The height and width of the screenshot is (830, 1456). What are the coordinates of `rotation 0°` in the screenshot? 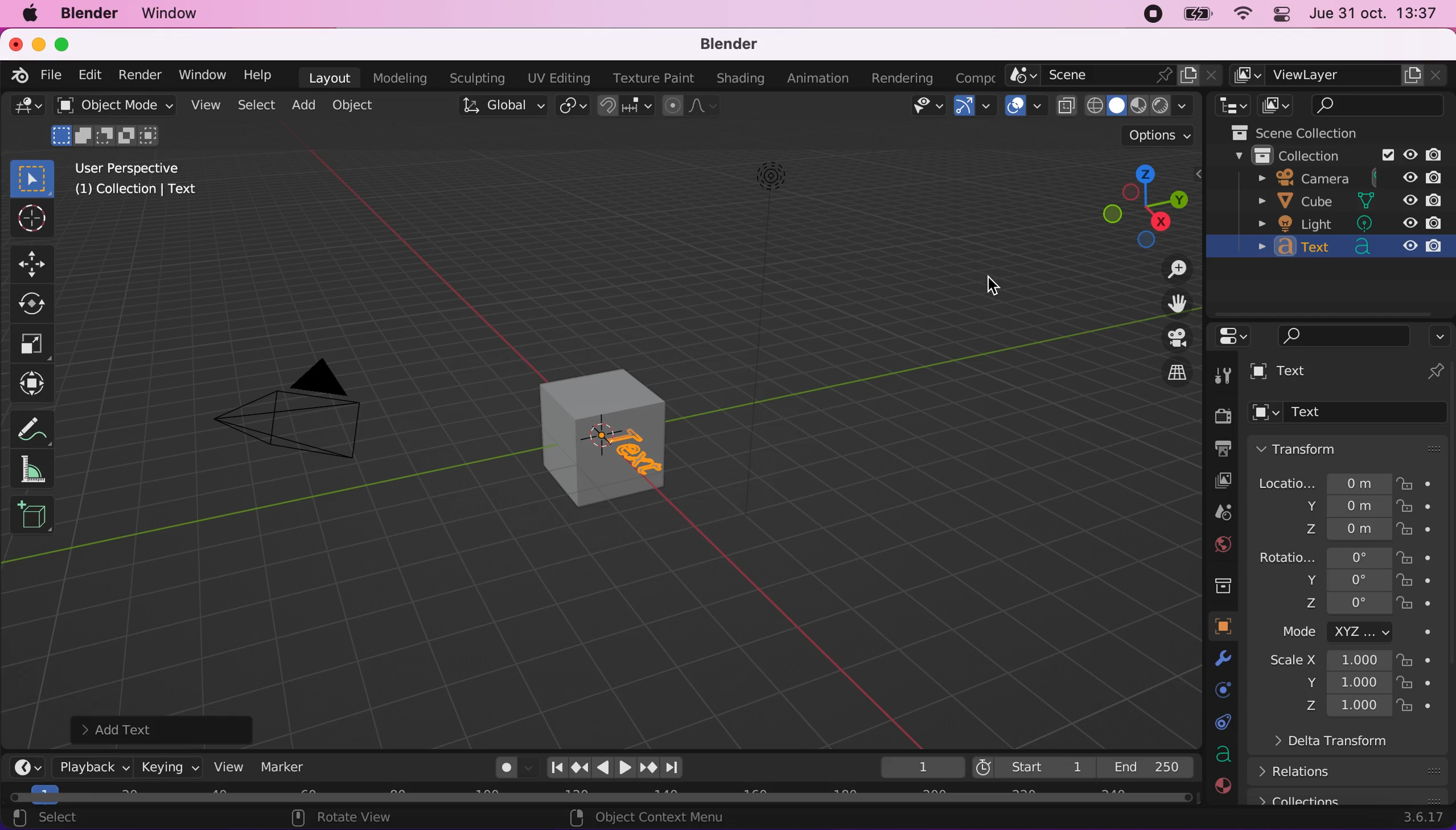 It's located at (1323, 558).